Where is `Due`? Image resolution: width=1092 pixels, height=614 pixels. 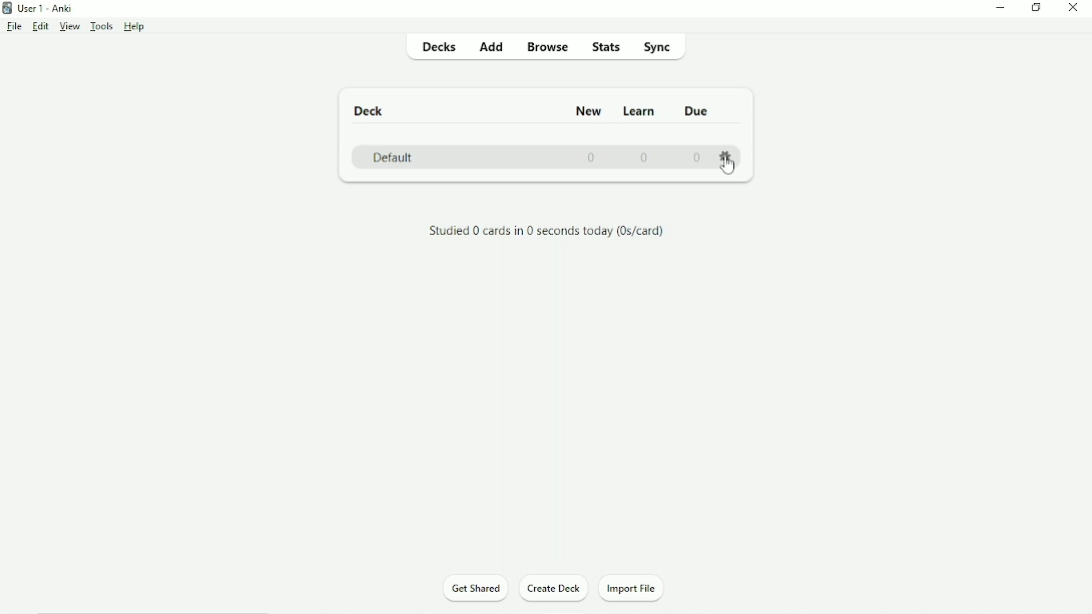 Due is located at coordinates (697, 109).